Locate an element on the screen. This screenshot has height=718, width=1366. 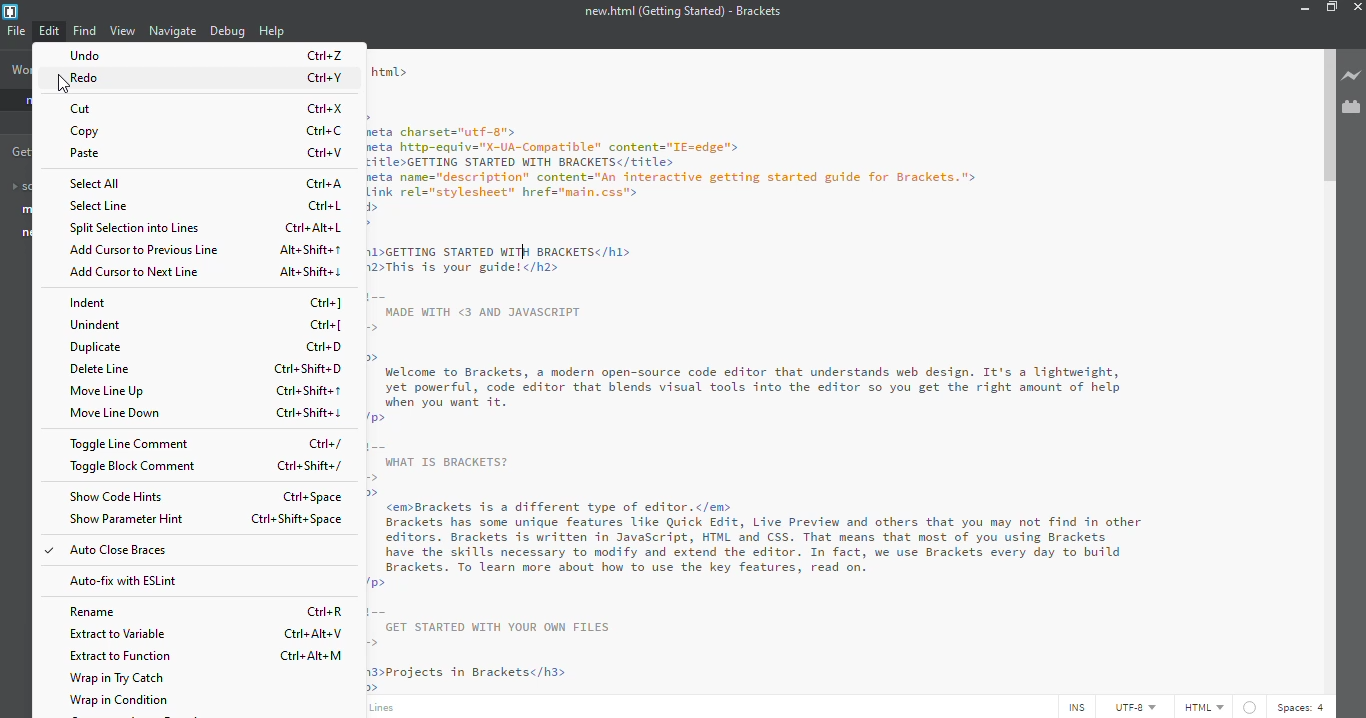
undo is located at coordinates (86, 53).